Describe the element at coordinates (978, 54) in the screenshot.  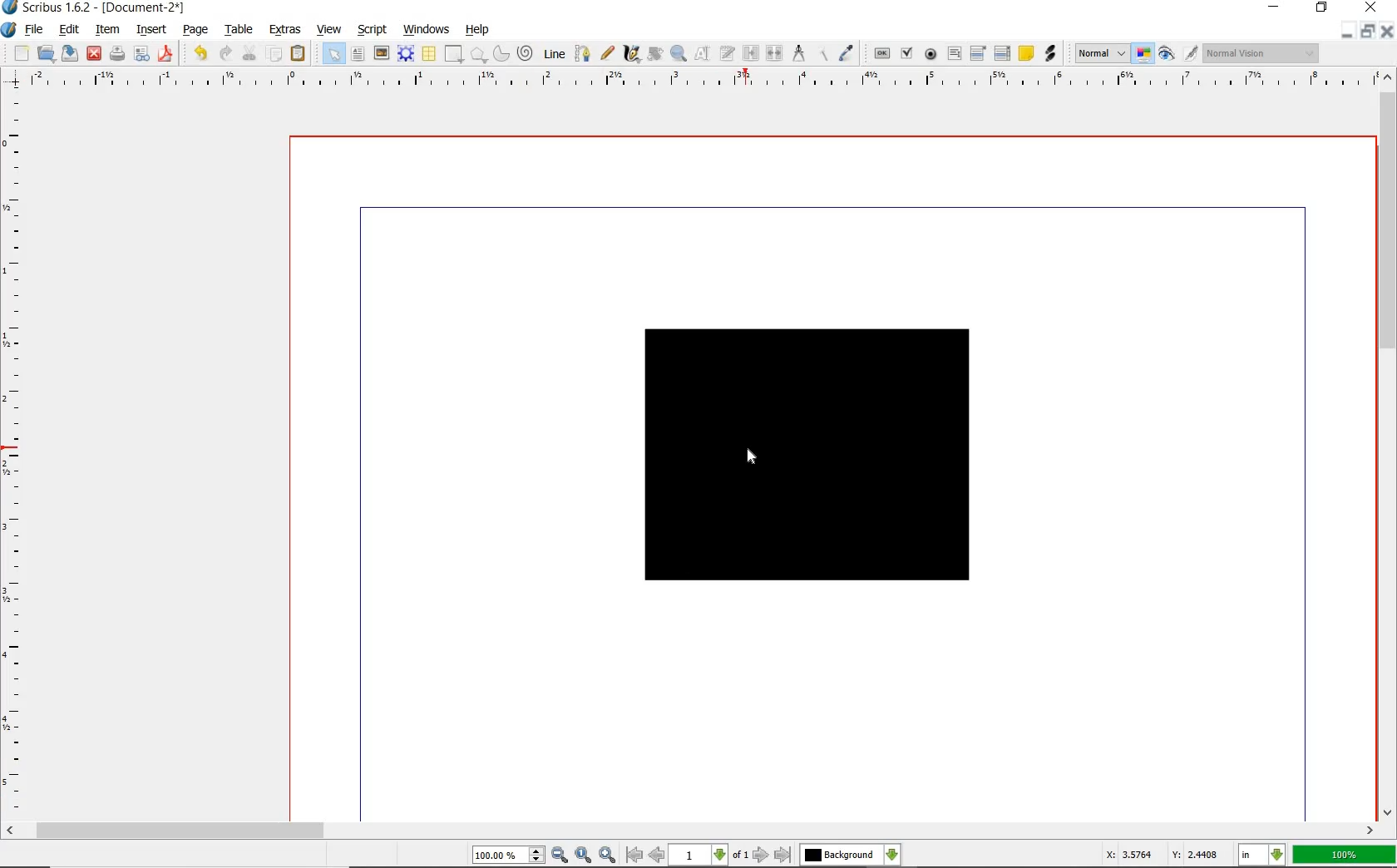
I see `pdf combo box` at that location.